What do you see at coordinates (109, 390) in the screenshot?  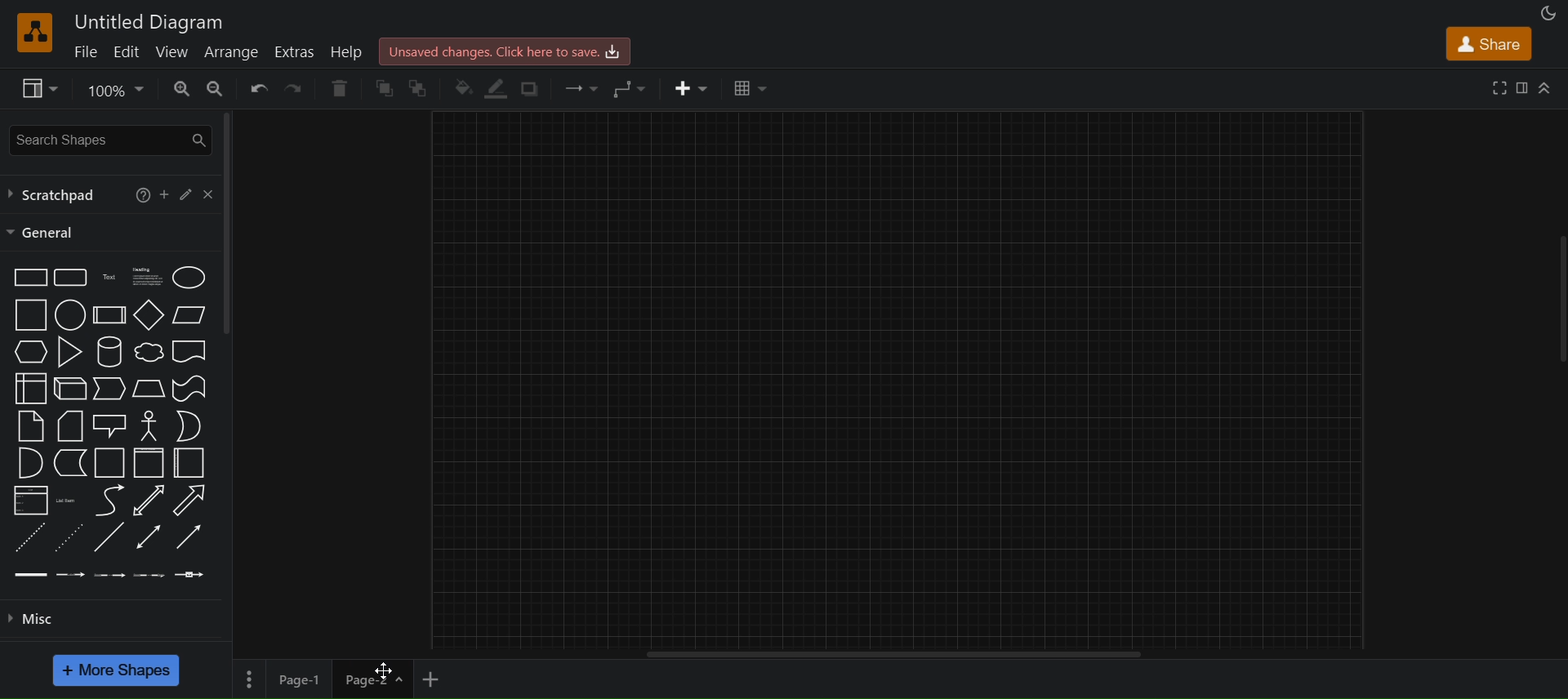 I see `step` at bounding box center [109, 390].